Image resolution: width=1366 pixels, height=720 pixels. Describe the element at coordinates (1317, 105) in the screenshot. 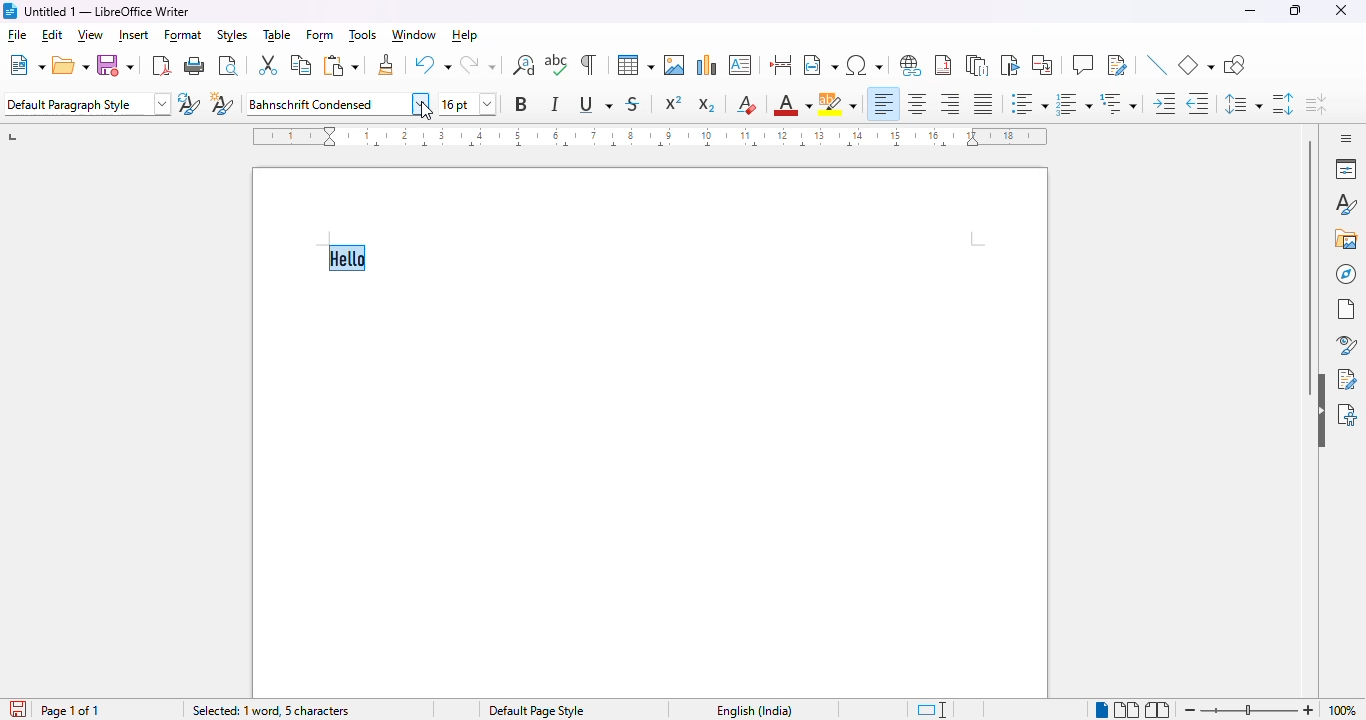

I see `decrease paragraph spacing` at that location.